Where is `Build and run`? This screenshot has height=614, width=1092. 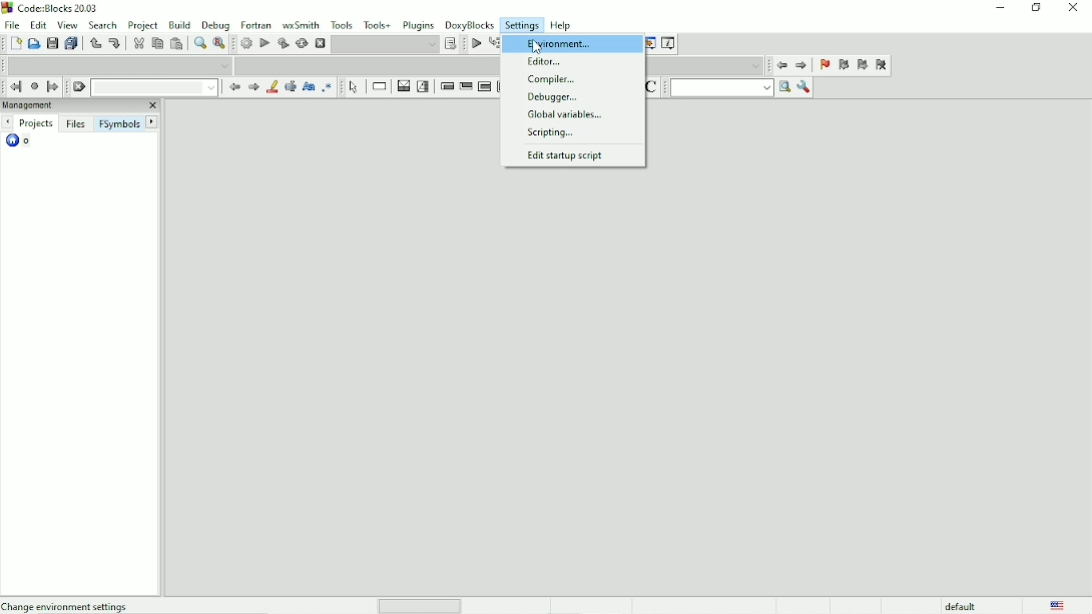
Build and run is located at coordinates (282, 43).